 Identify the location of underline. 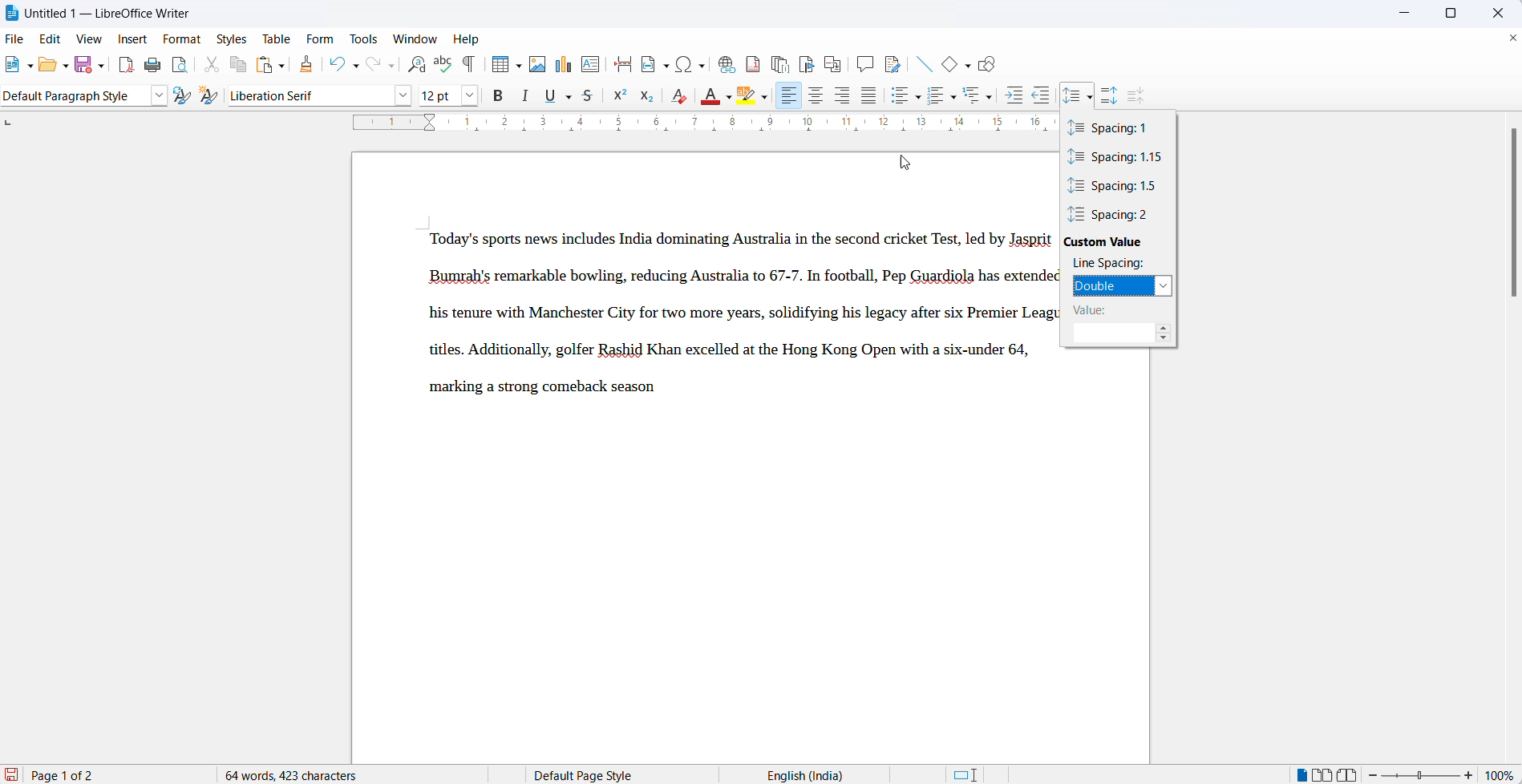
(553, 96).